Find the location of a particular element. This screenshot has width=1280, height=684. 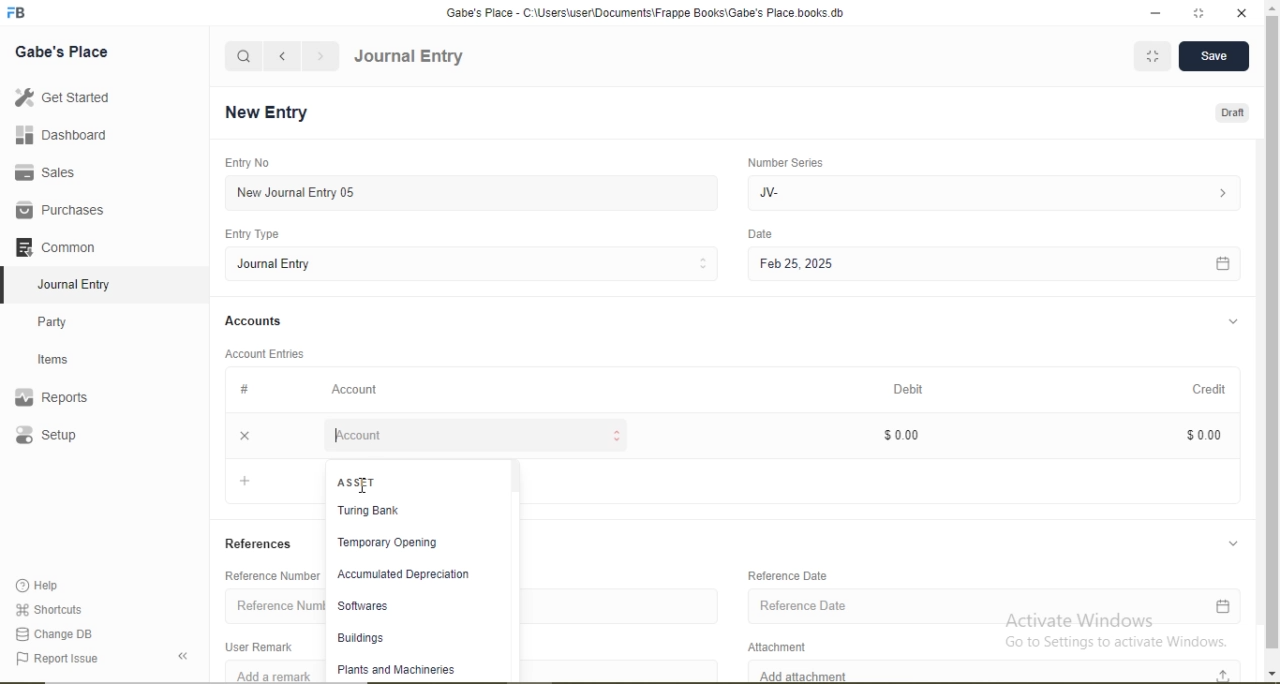

Feb 25, 2025 is located at coordinates (1005, 265).